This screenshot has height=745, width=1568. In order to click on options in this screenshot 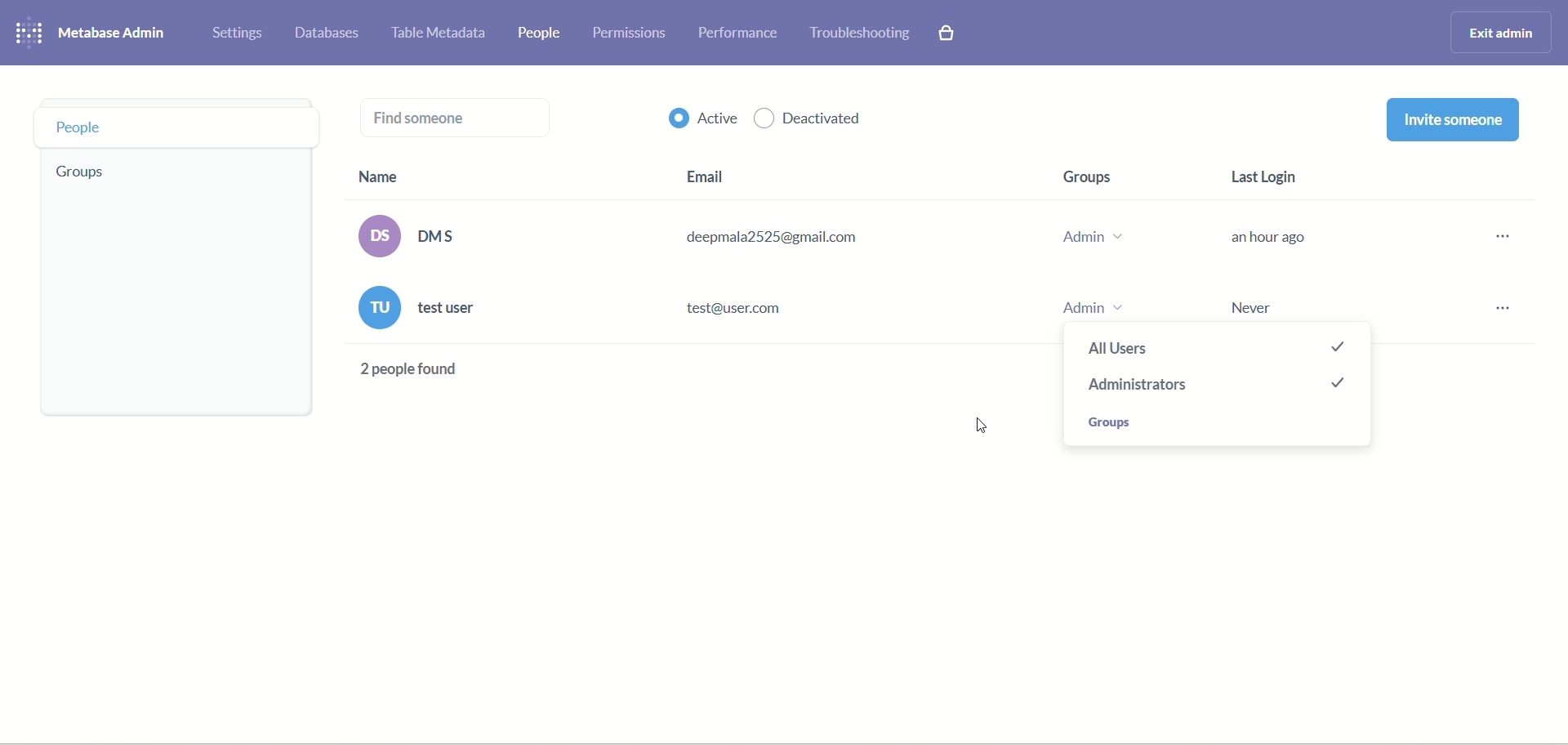, I will do `click(1494, 280)`.